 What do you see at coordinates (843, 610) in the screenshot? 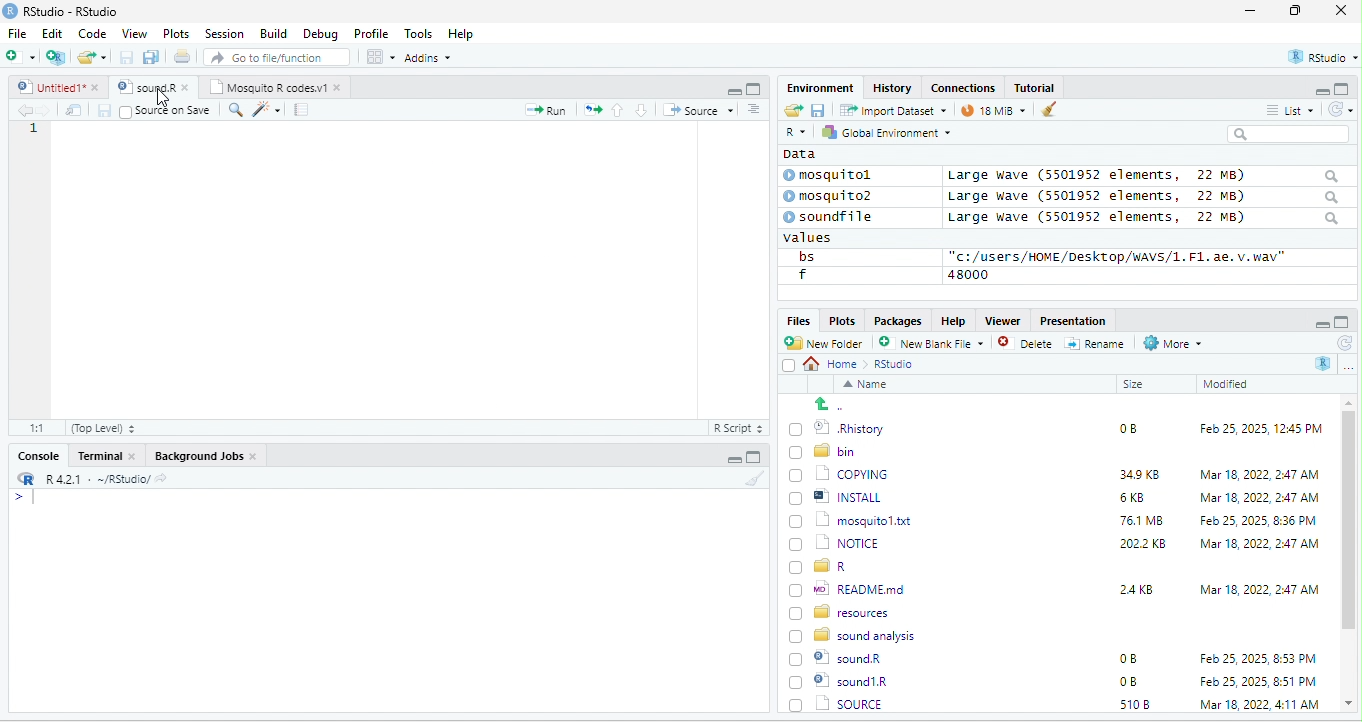
I see `BD resources` at bounding box center [843, 610].